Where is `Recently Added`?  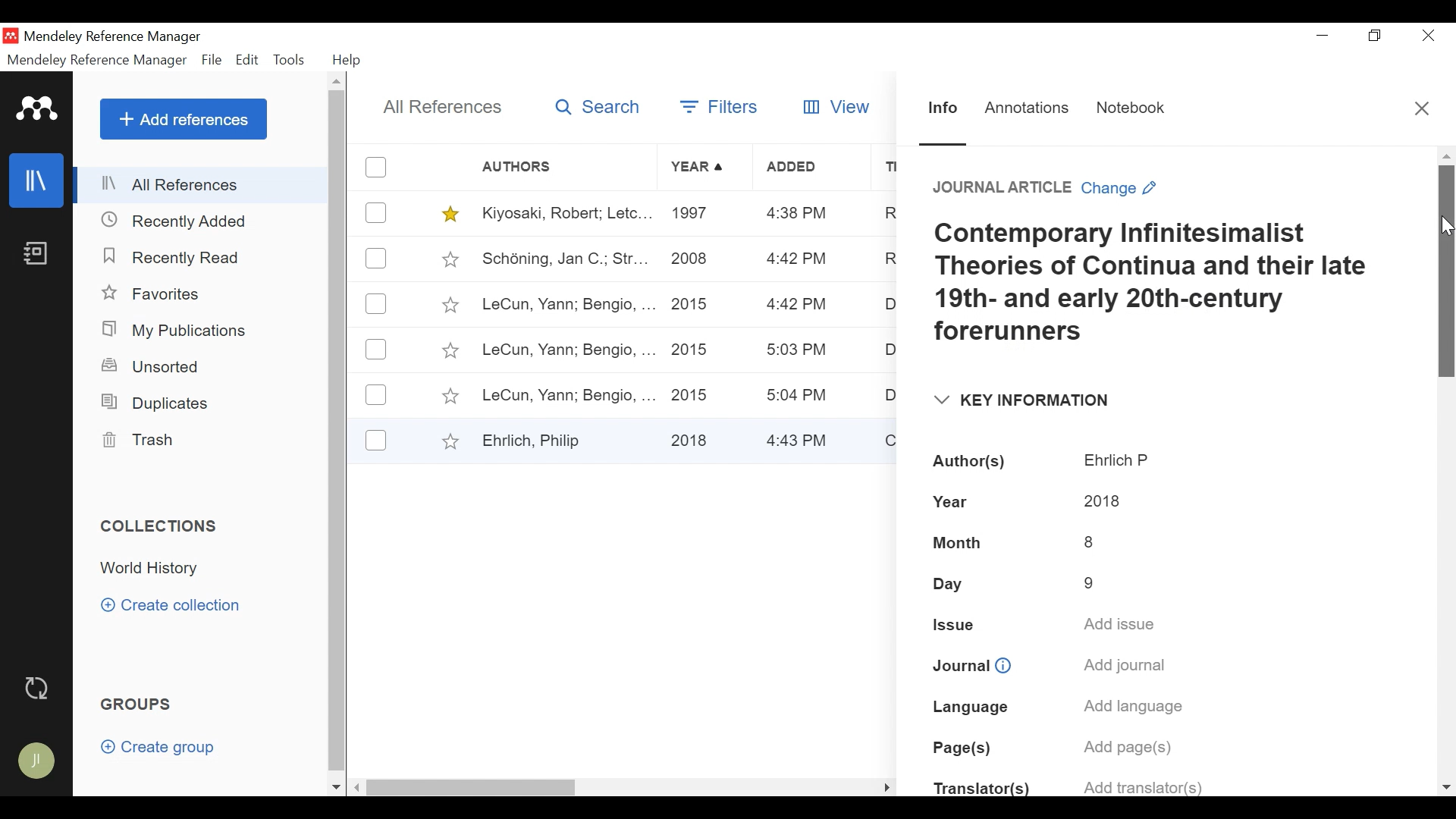
Recently Added is located at coordinates (175, 256).